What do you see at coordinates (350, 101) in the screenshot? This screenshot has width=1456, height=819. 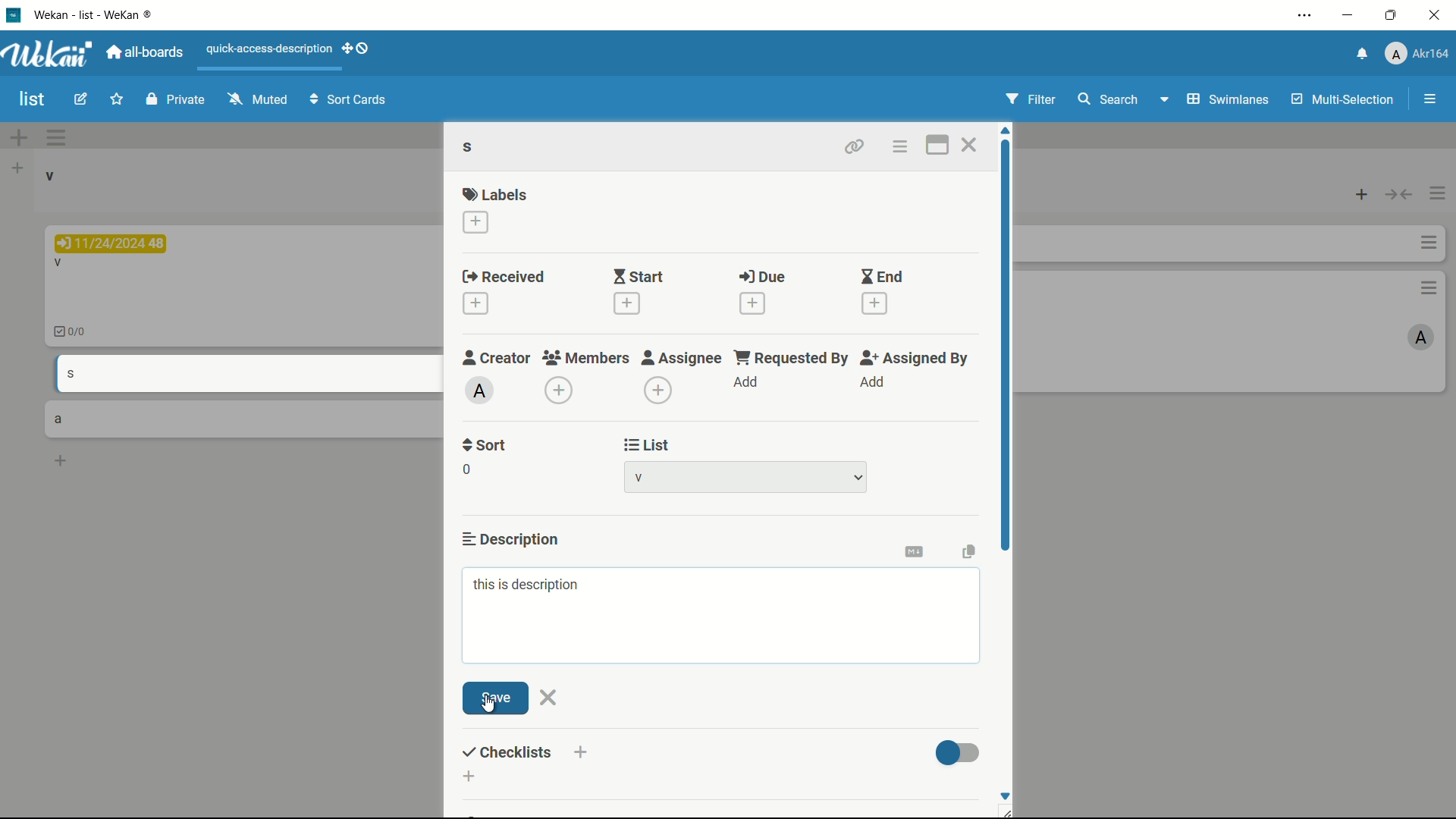 I see `sort cards` at bounding box center [350, 101].